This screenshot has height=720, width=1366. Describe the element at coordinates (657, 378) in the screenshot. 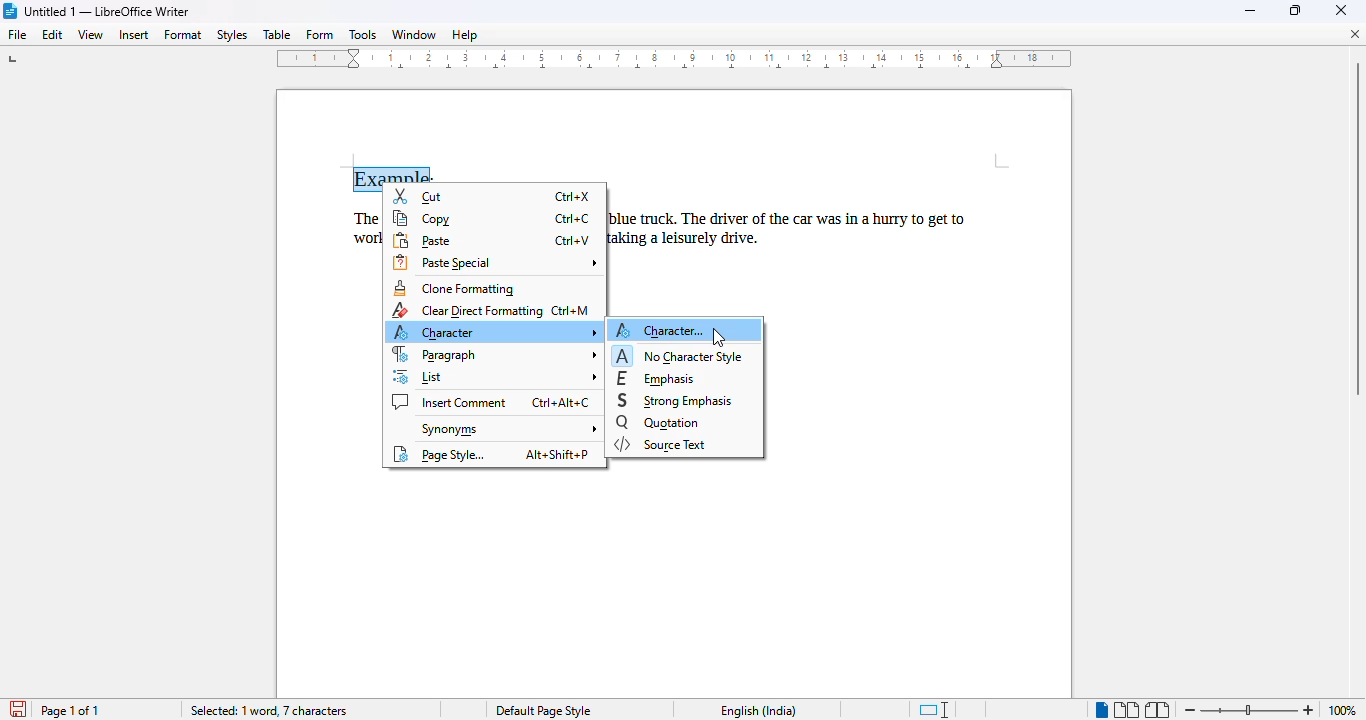

I see `emphasis` at that location.